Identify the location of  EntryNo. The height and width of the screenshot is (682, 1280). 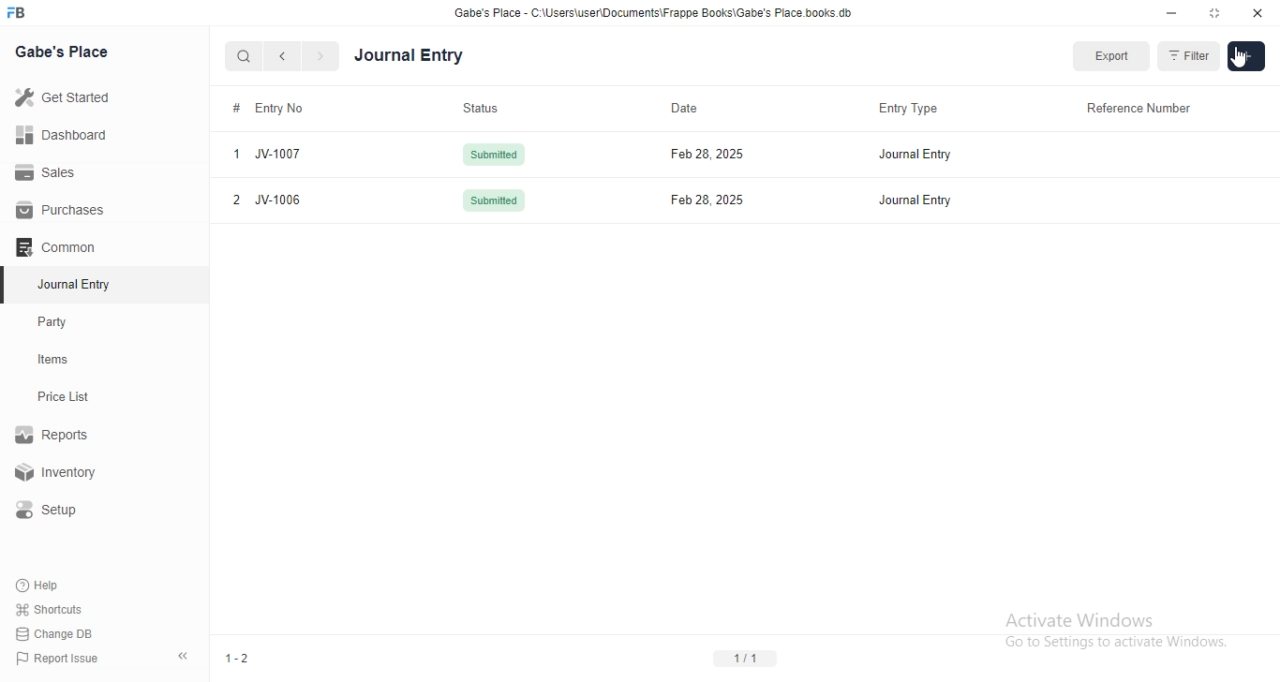
(289, 106).